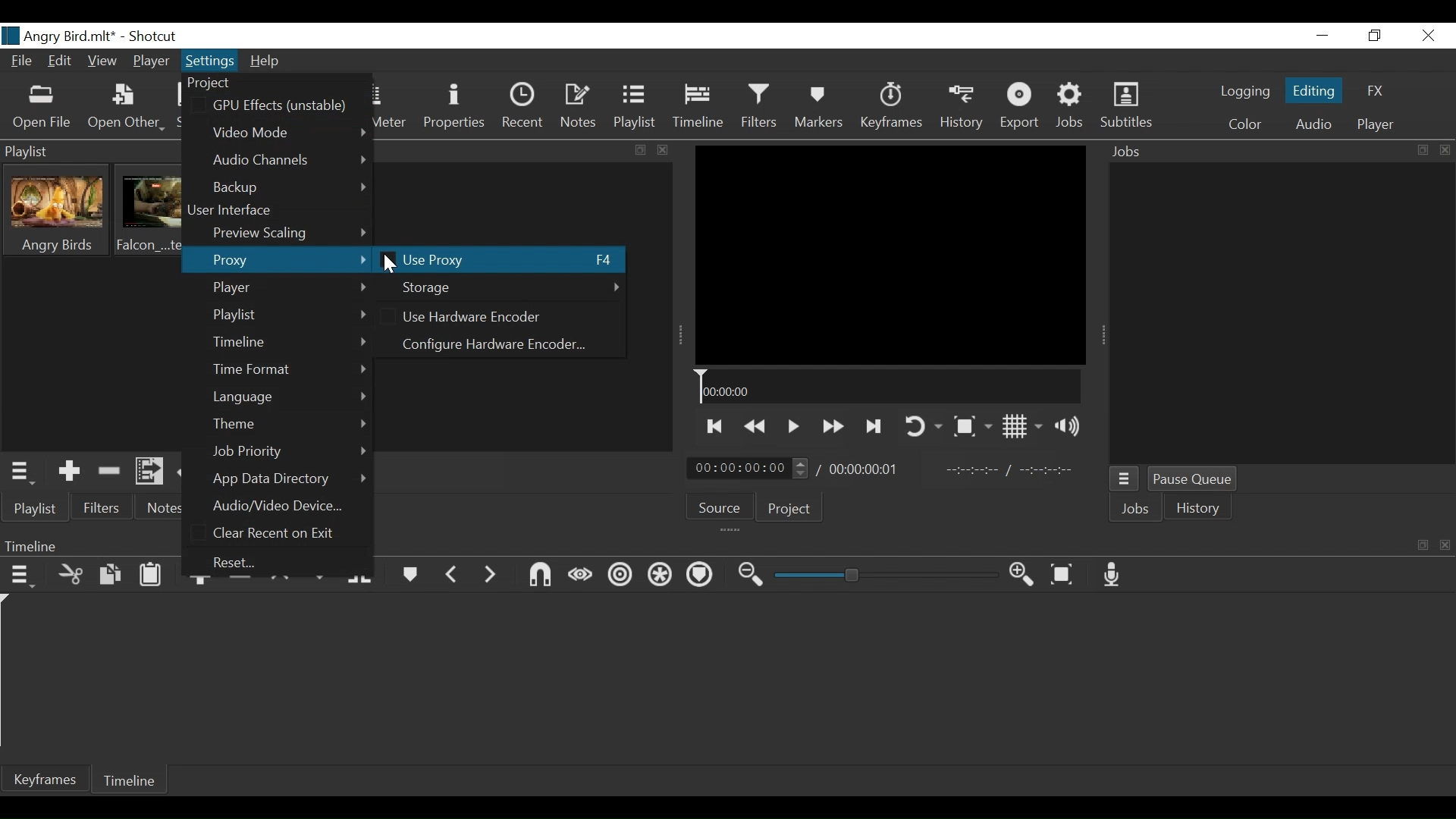  I want to click on Backup, so click(288, 188).